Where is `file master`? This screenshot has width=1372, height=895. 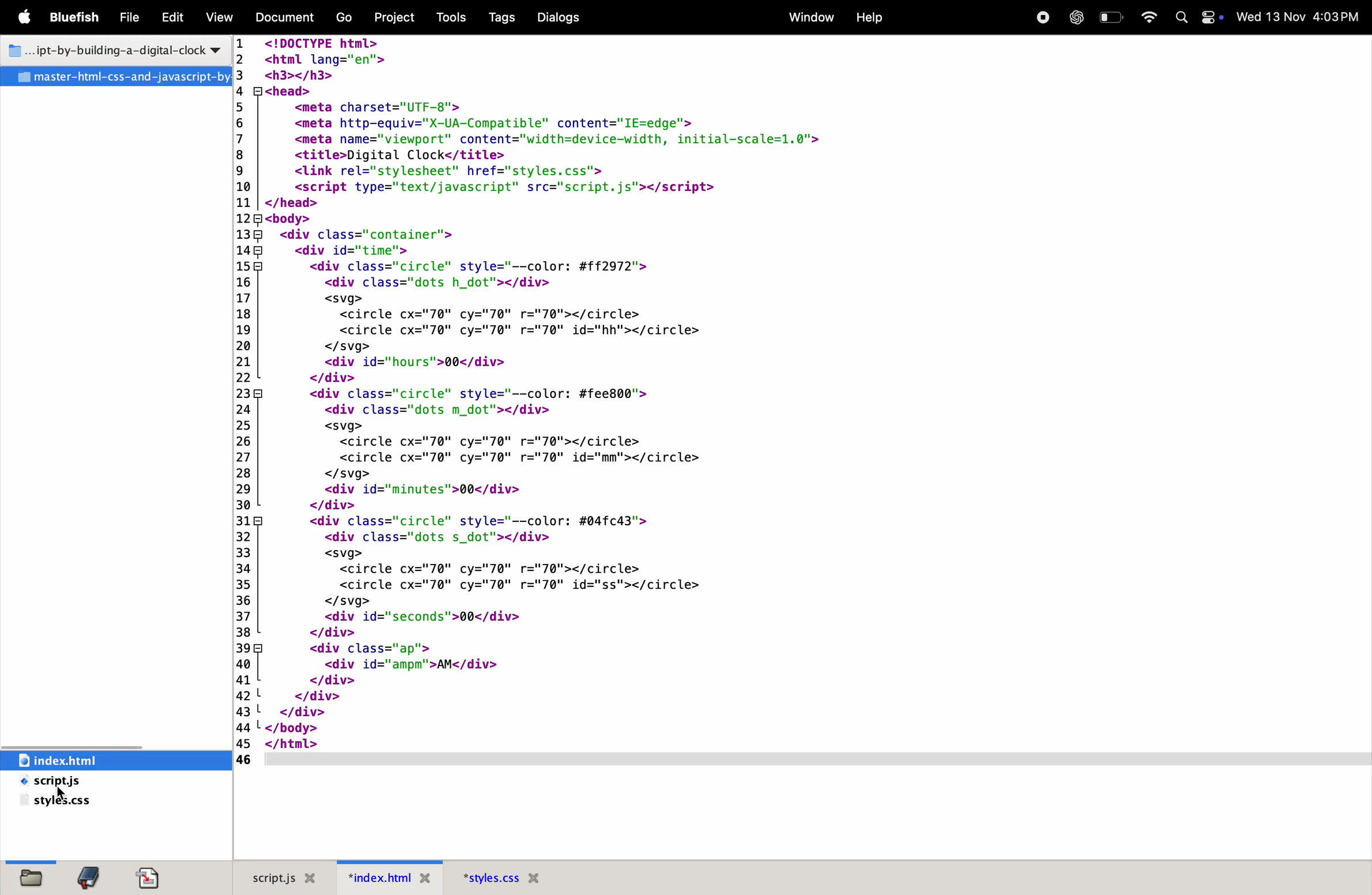 file master is located at coordinates (116, 77).